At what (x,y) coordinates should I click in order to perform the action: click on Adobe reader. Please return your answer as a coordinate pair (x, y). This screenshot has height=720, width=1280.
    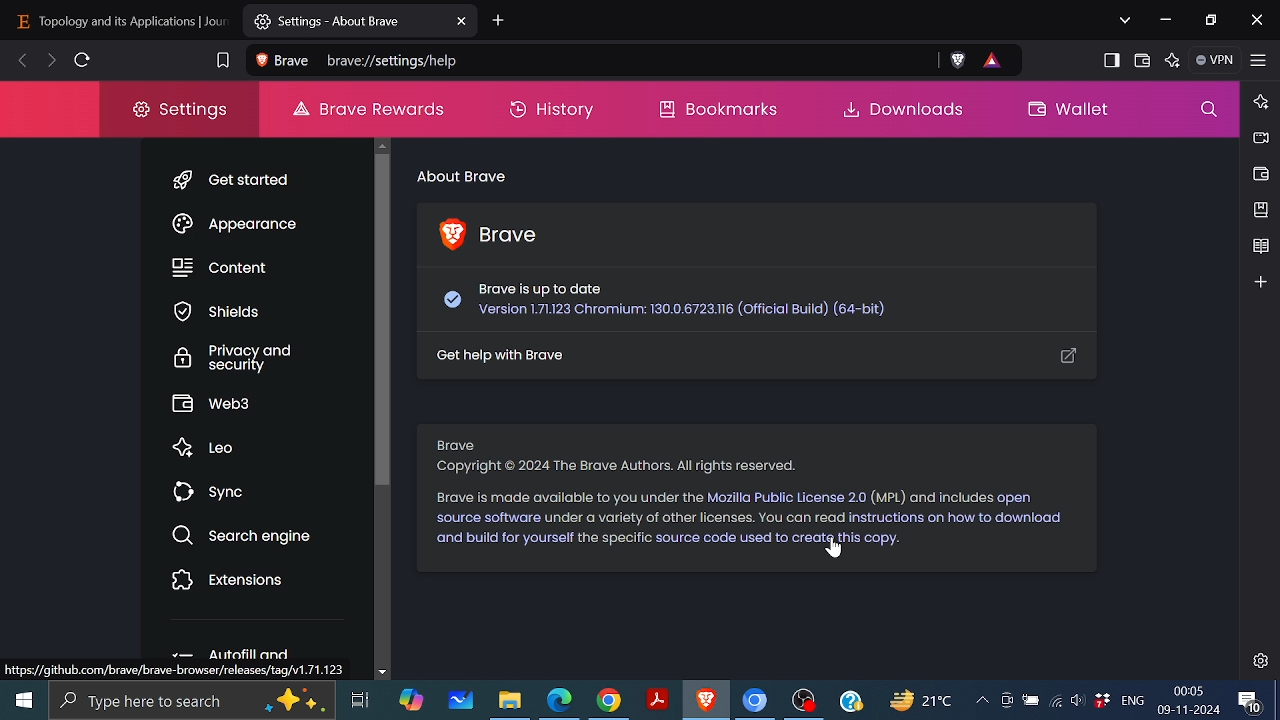
    Looking at the image, I should click on (656, 700).